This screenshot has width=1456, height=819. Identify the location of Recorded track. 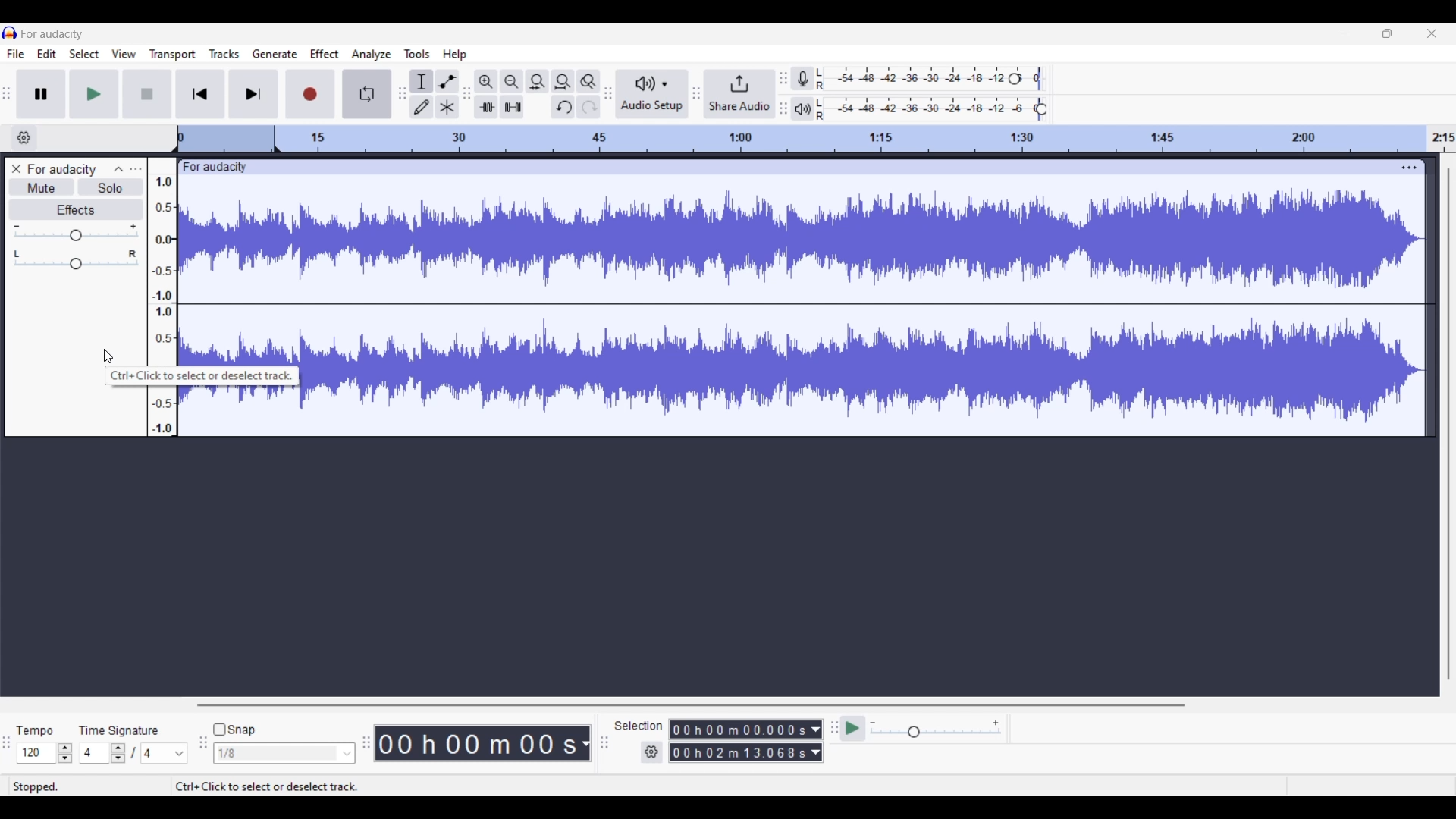
(863, 306).